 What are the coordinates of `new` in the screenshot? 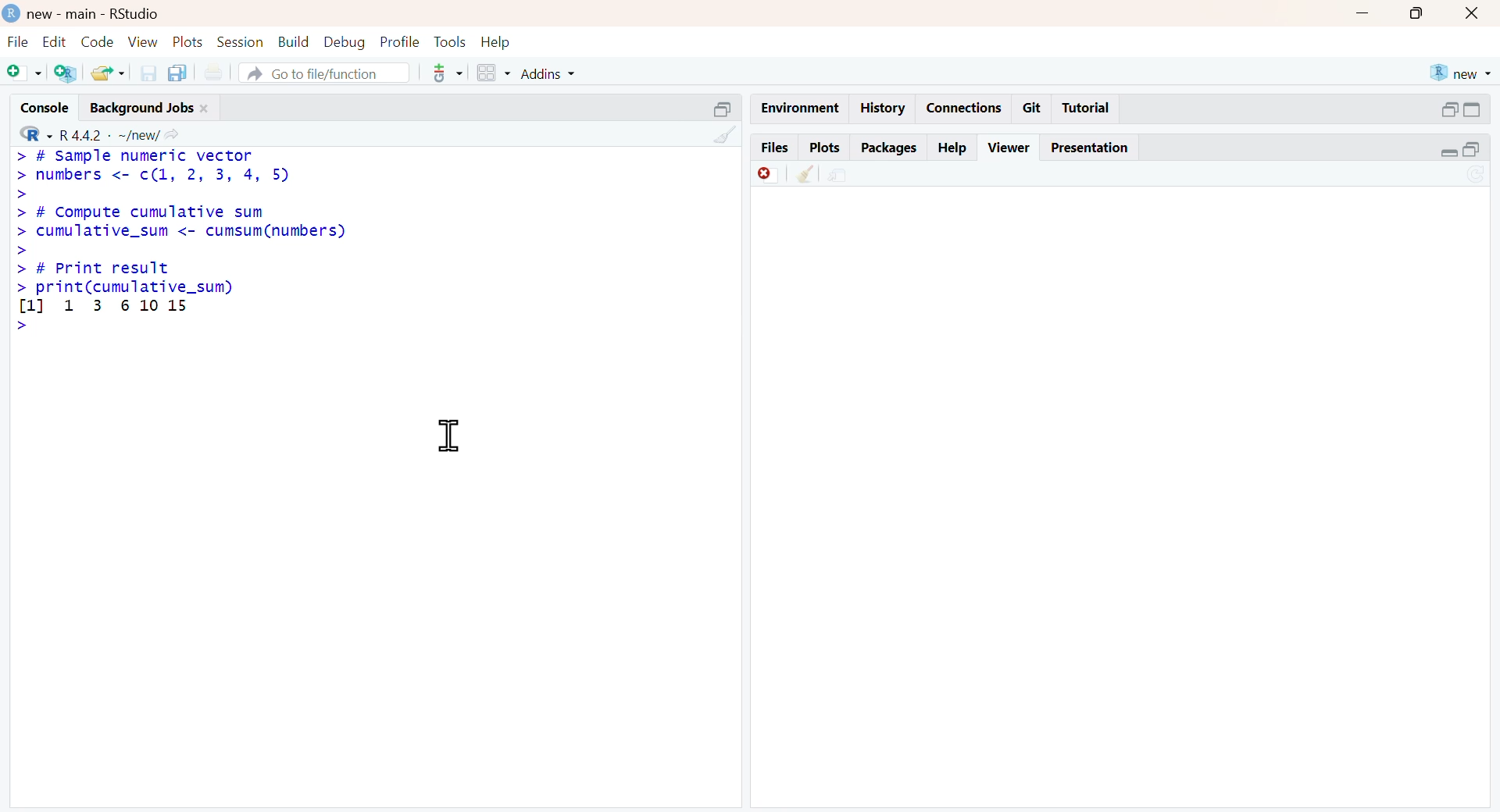 It's located at (1462, 73).